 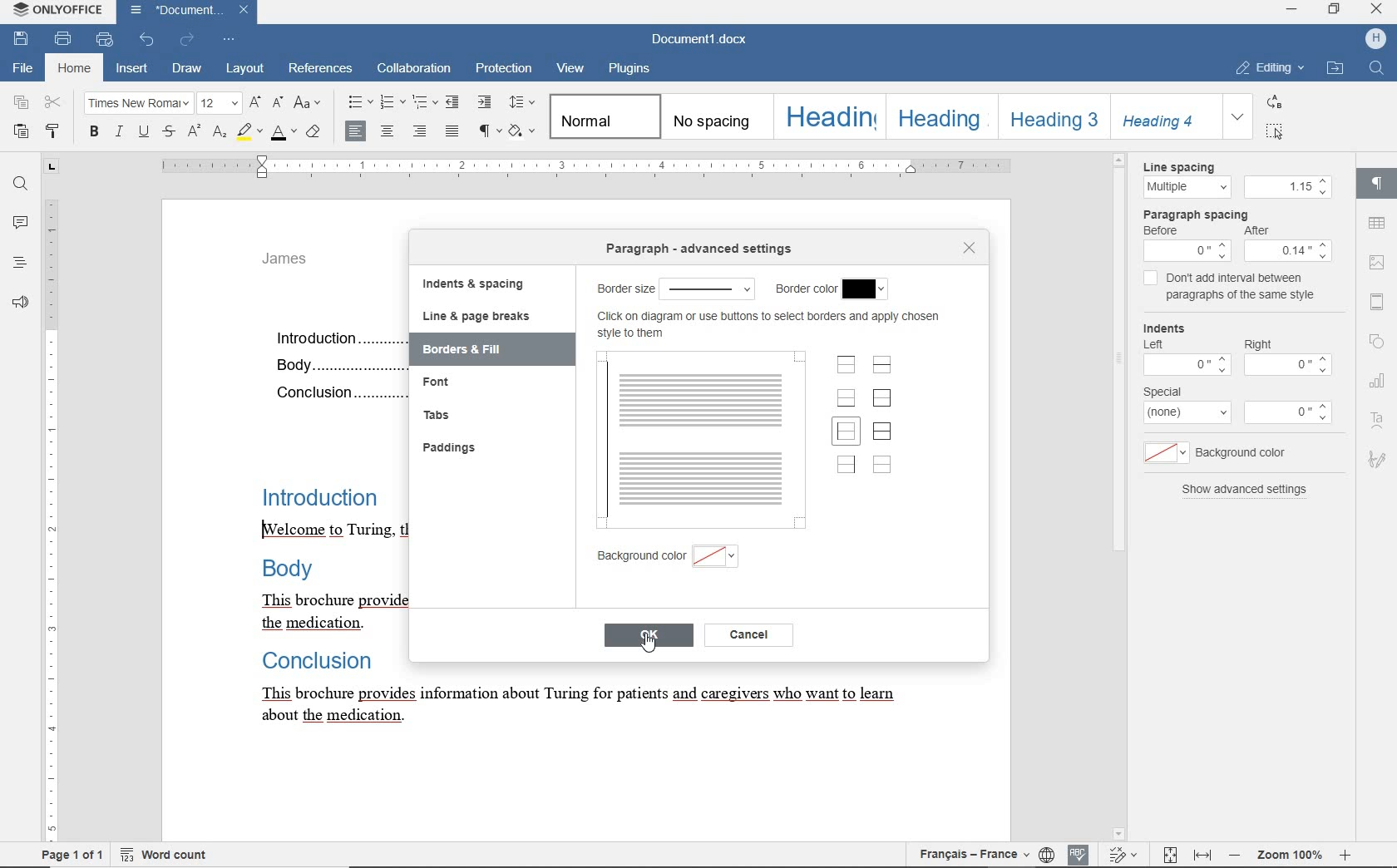 I want to click on feedback & support, so click(x=21, y=303).